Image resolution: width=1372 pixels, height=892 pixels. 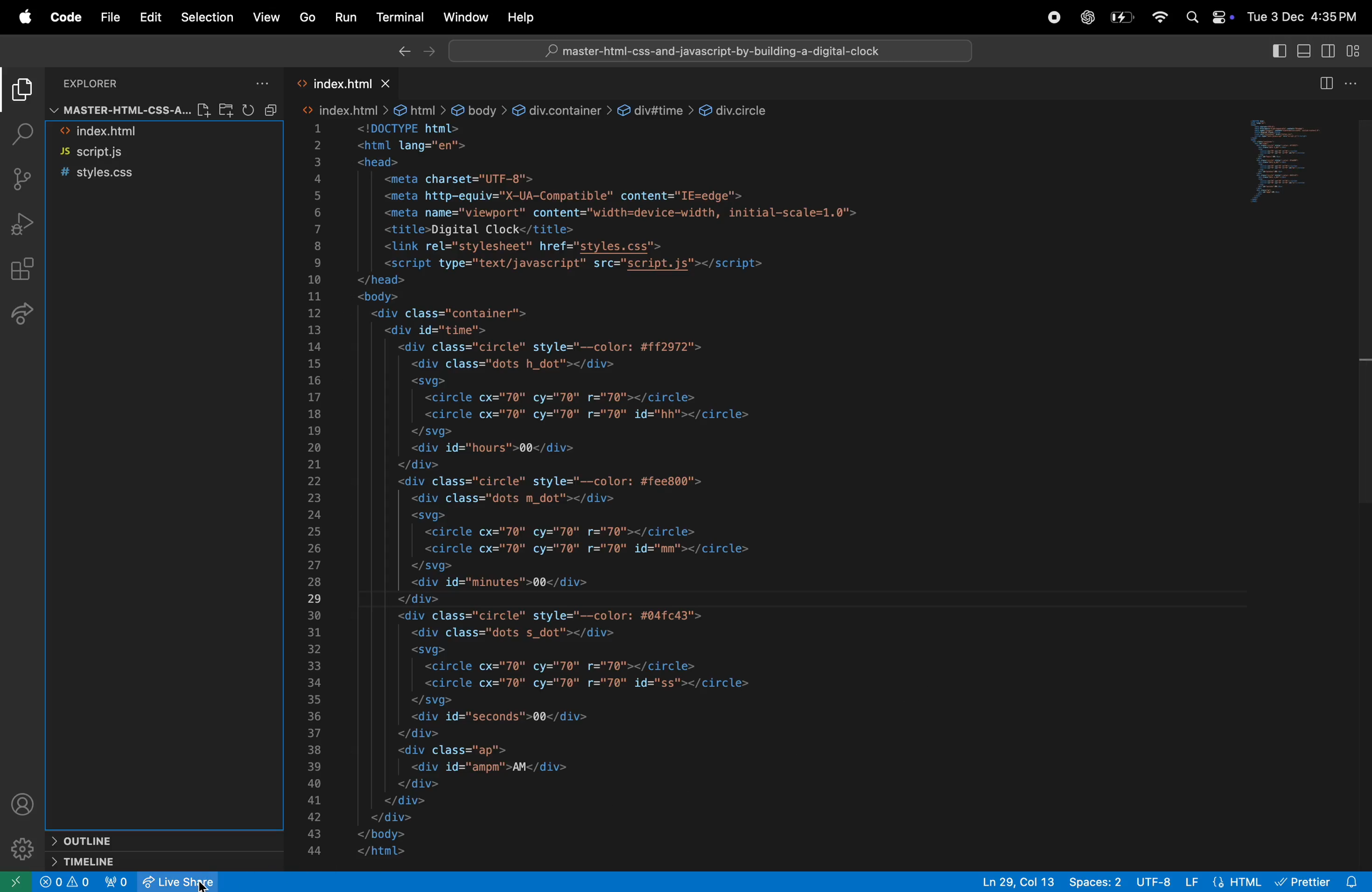 I want to click on index.html, so click(x=139, y=132).